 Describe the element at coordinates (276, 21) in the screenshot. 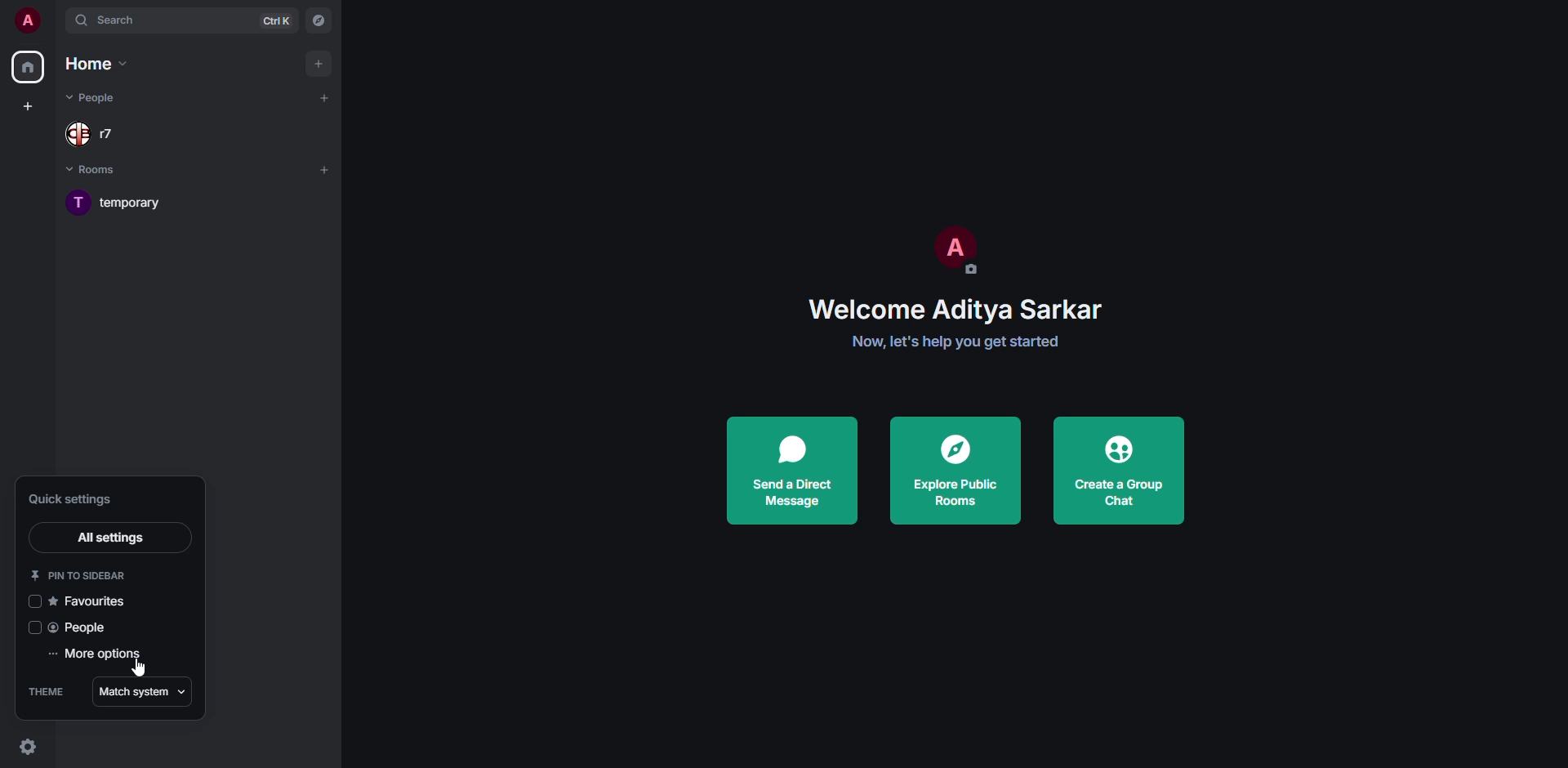

I see `ctrl K` at that location.